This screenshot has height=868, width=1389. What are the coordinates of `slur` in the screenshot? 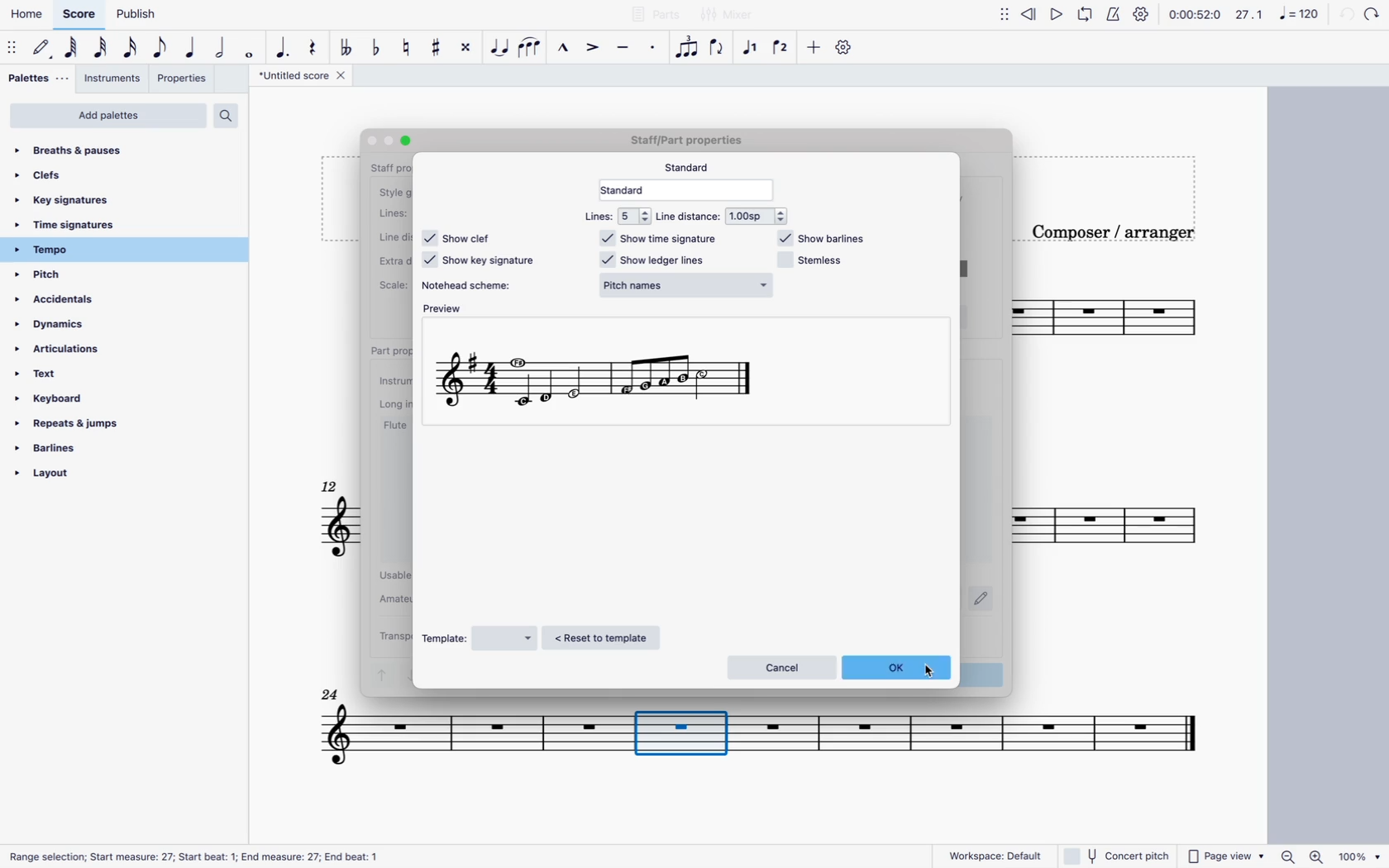 It's located at (532, 48).